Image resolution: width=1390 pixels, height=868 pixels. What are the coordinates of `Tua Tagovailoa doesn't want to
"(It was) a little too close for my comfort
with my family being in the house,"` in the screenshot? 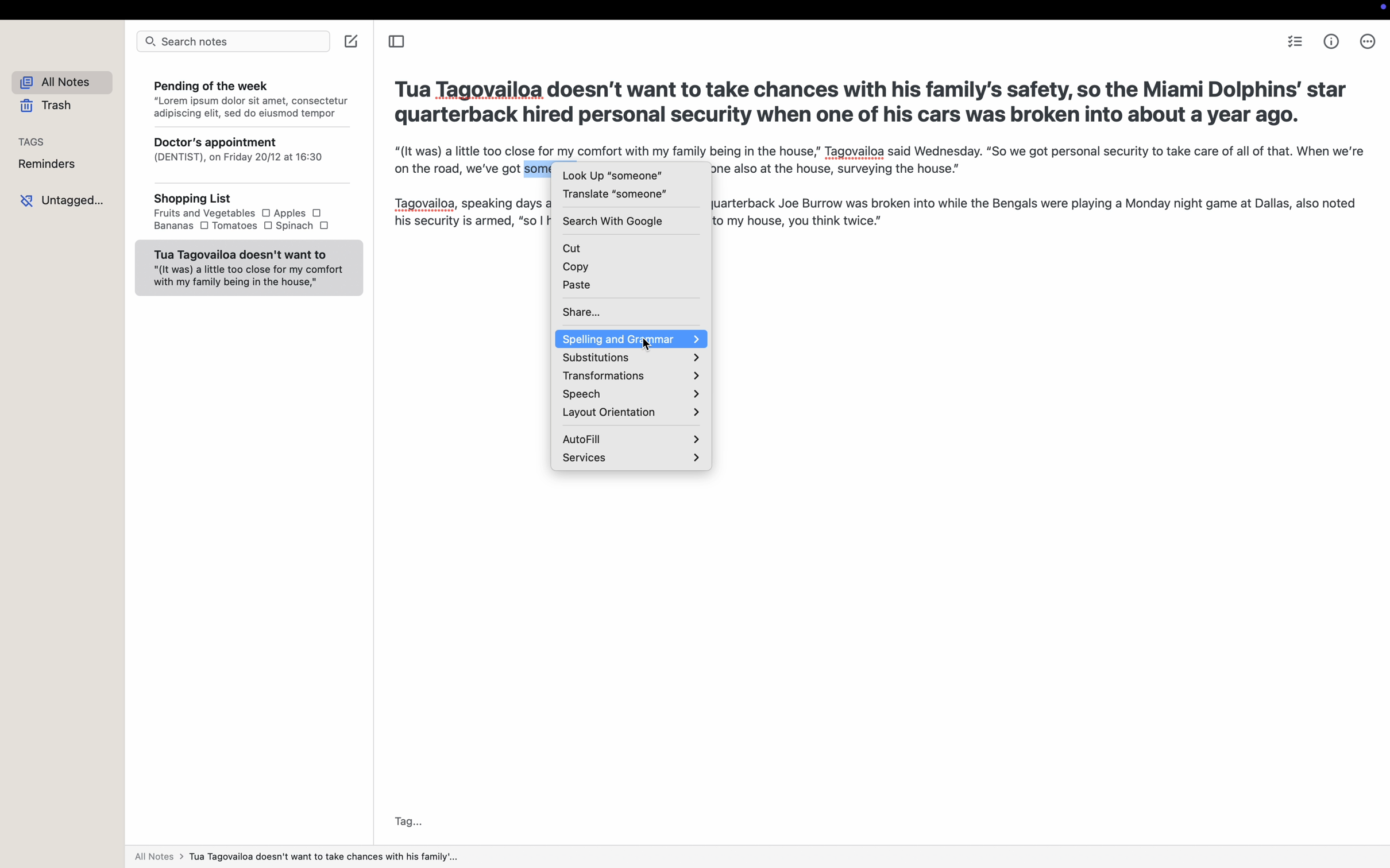 It's located at (248, 268).